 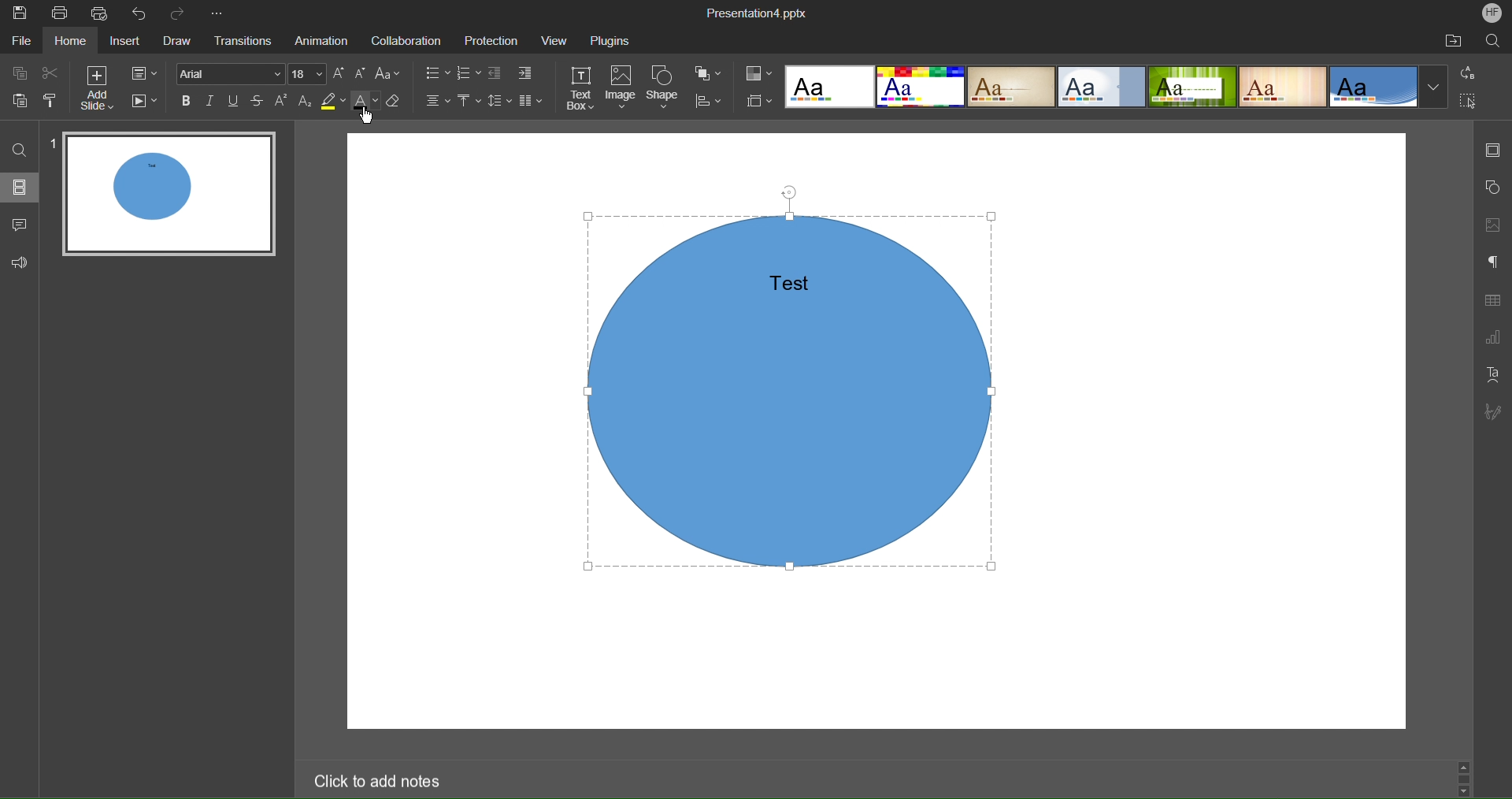 I want to click on Italic, so click(x=213, y=103).